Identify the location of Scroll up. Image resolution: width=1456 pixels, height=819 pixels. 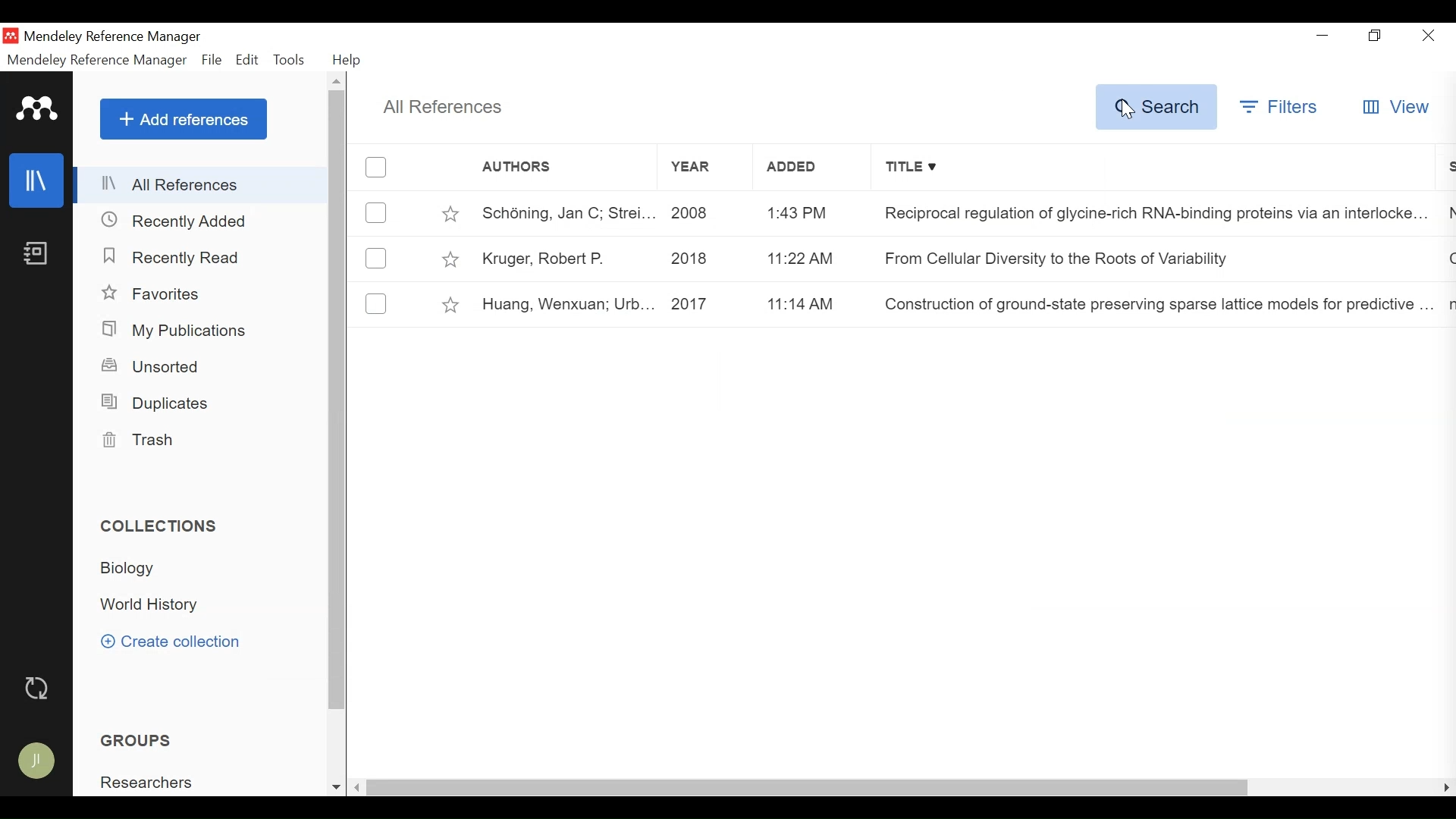
(338, 82).